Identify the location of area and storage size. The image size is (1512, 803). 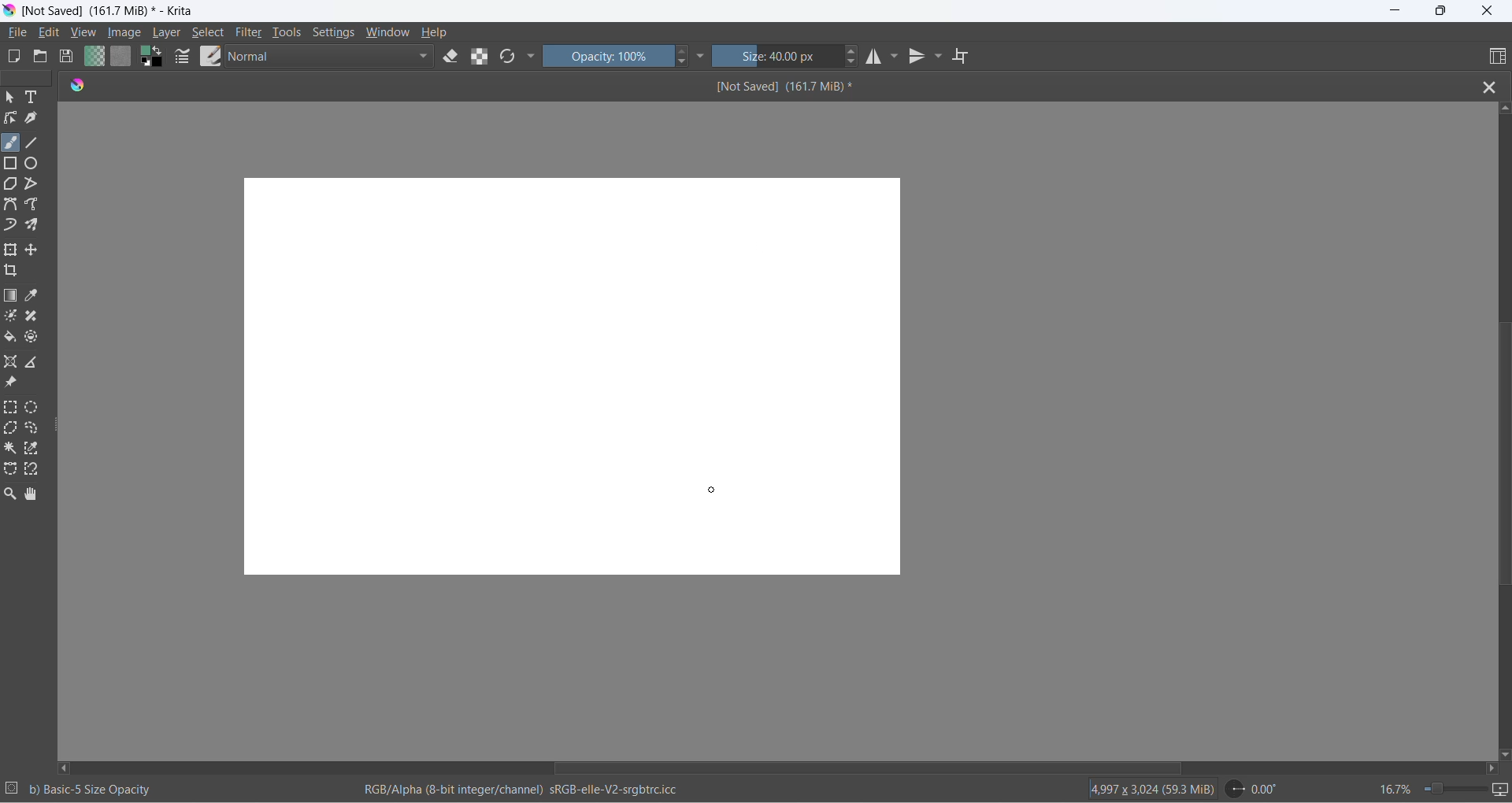
(1149, 788).